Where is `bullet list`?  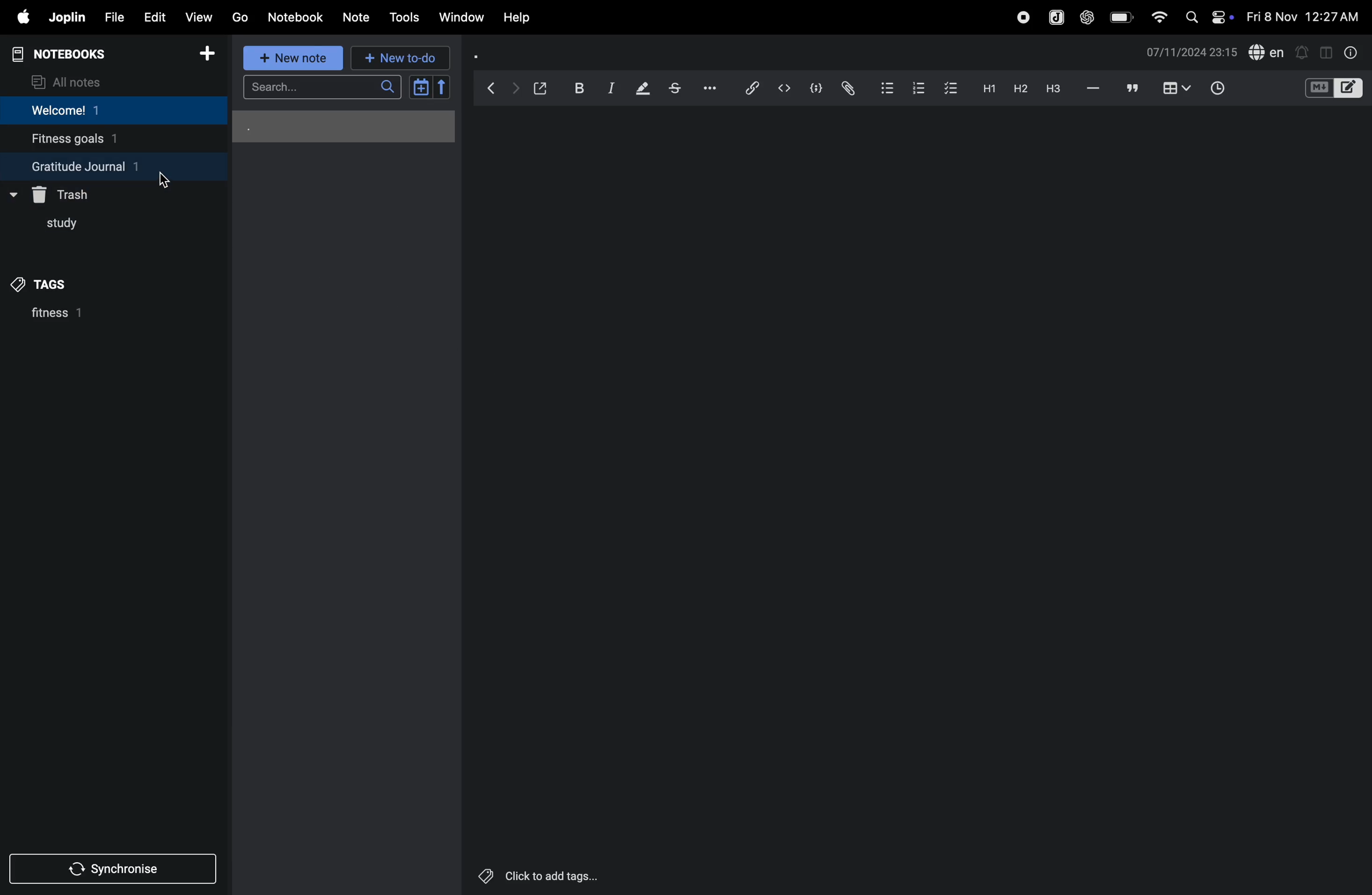 bullet list is located at coordinates (882, 88).